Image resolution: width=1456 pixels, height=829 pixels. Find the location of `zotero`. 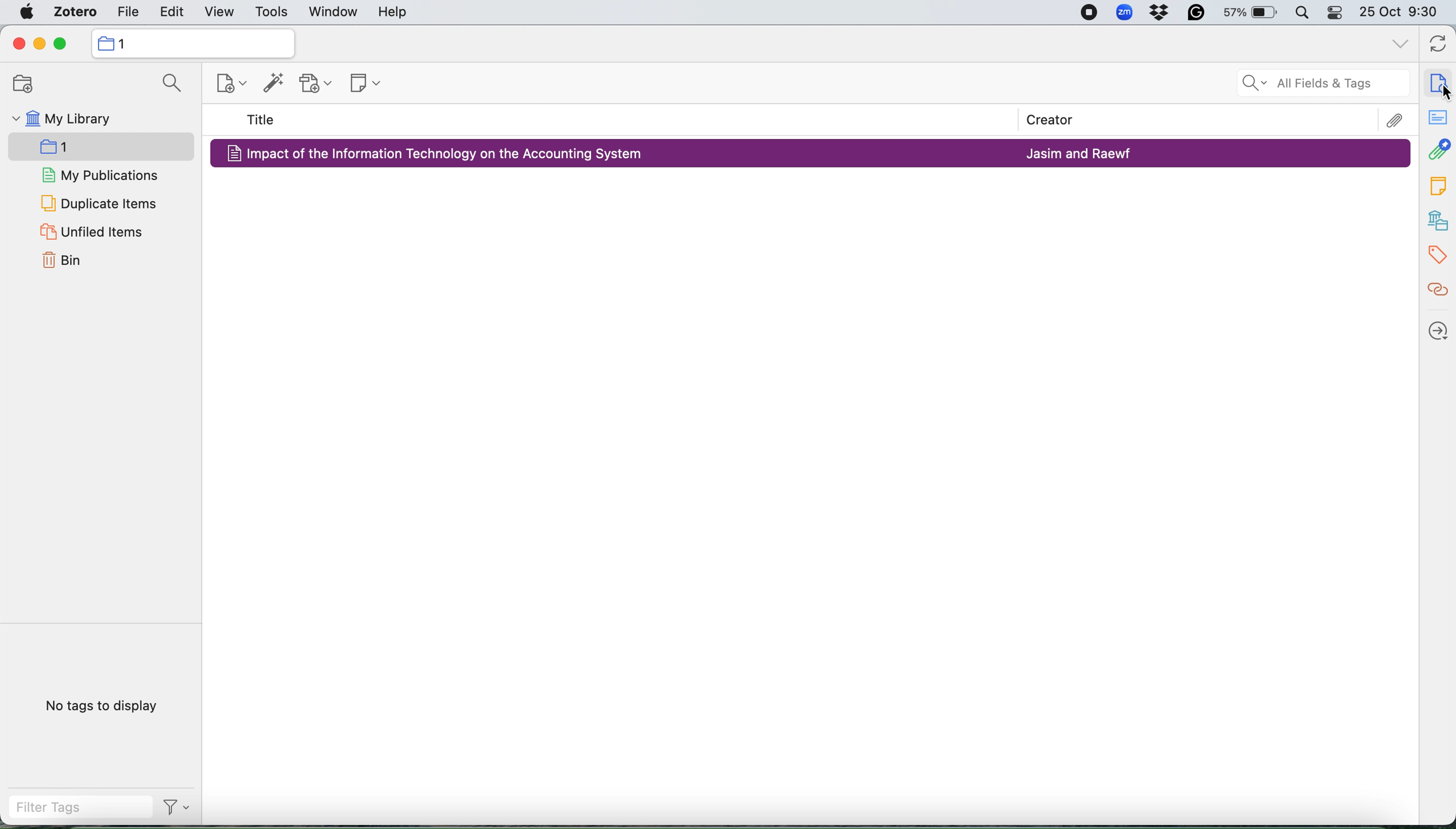

zotero is located at coordinates (75, 12).